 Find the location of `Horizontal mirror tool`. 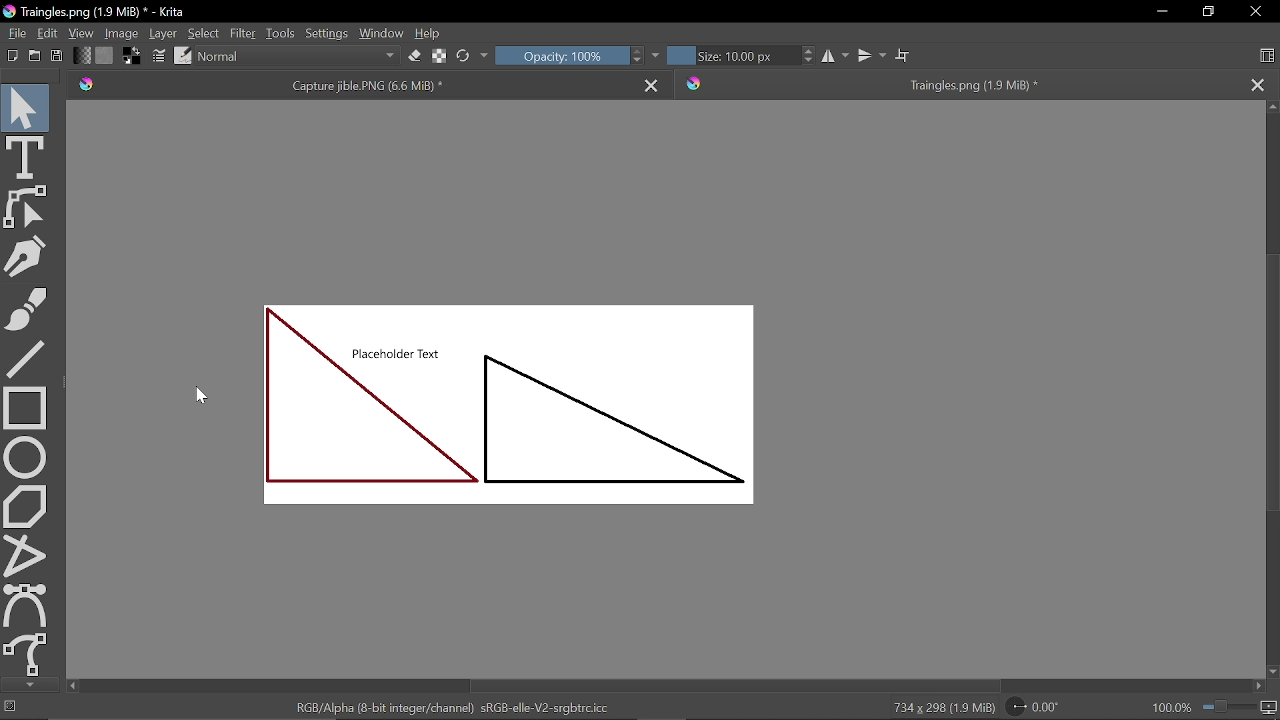

Horizontal mirror tool is located at coordinates (834, 56).